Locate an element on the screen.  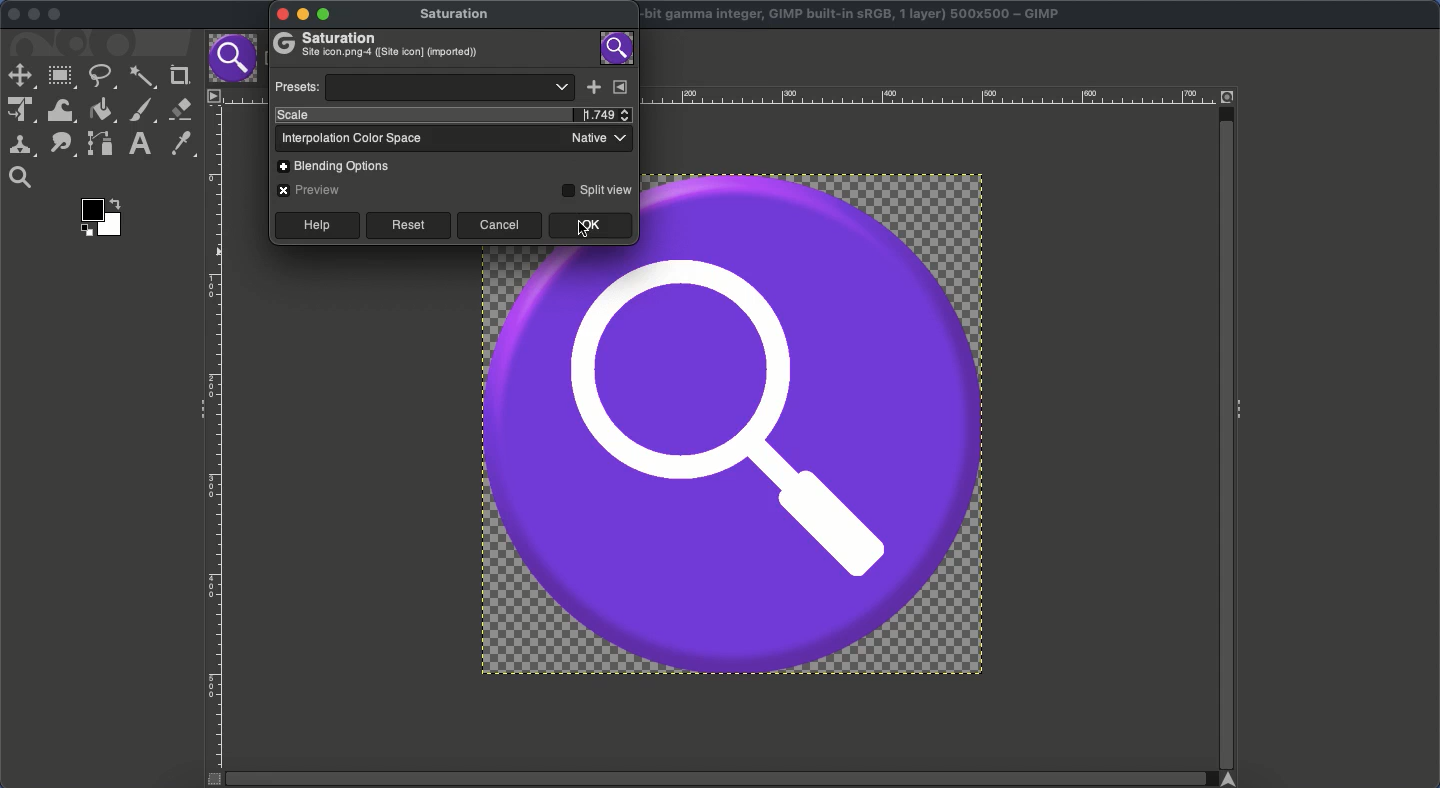
Fuzzy selection tool is located at coordinates (143, 79).